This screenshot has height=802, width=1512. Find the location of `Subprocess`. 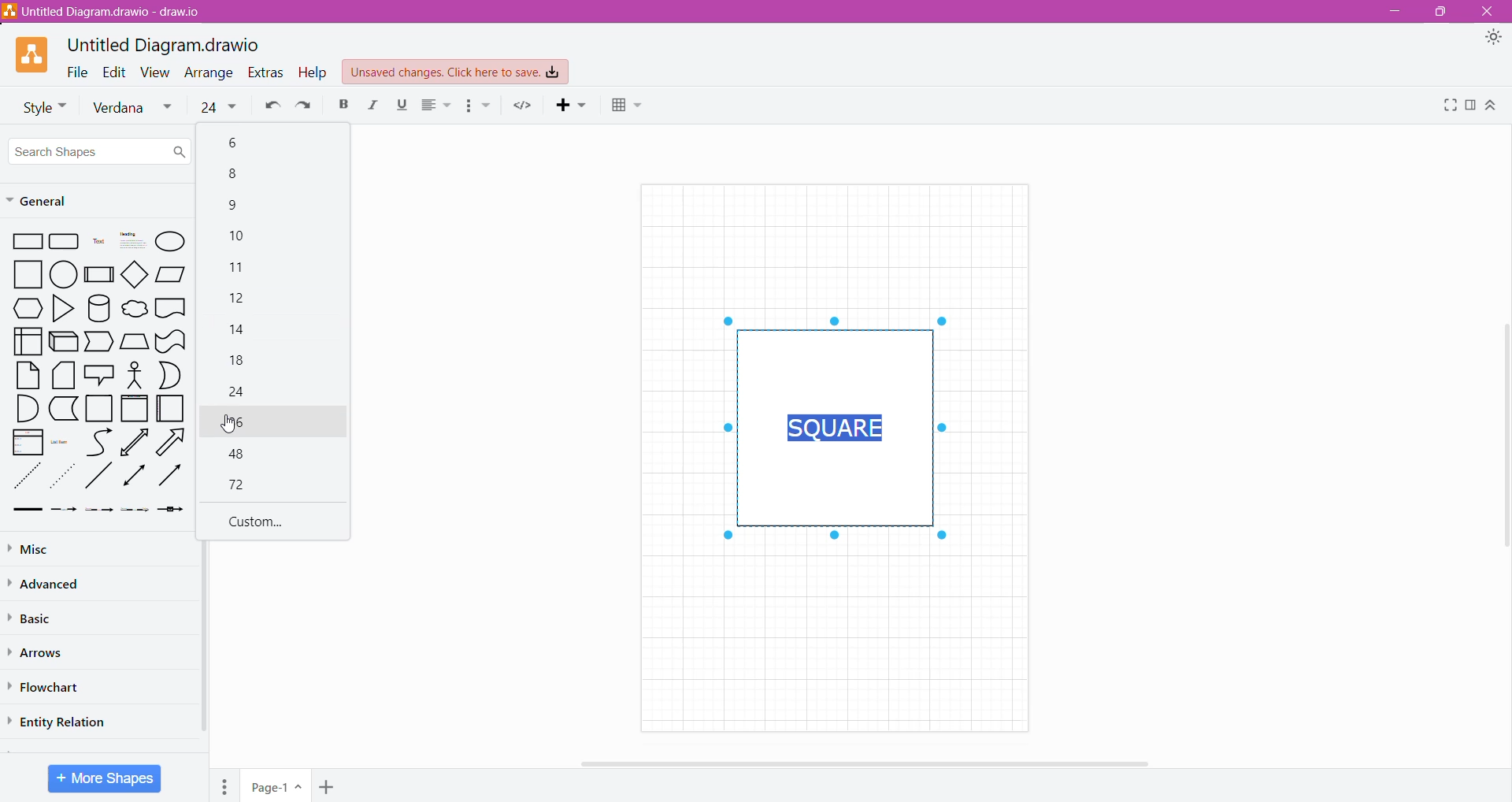

Subprocess is located at coordinates (99, 274).